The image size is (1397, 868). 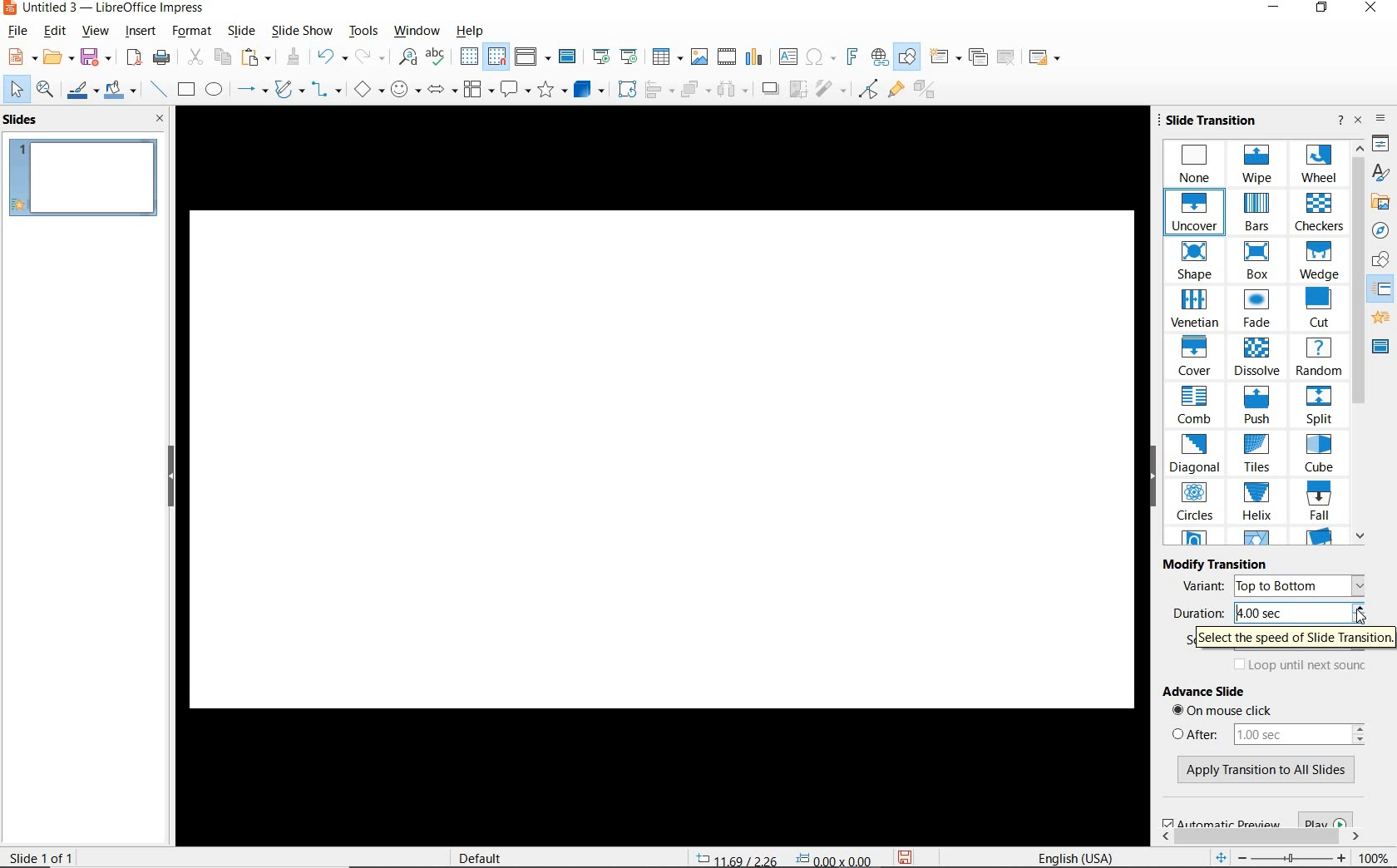 I want to click on VIEW, so click(x=96, y=31).